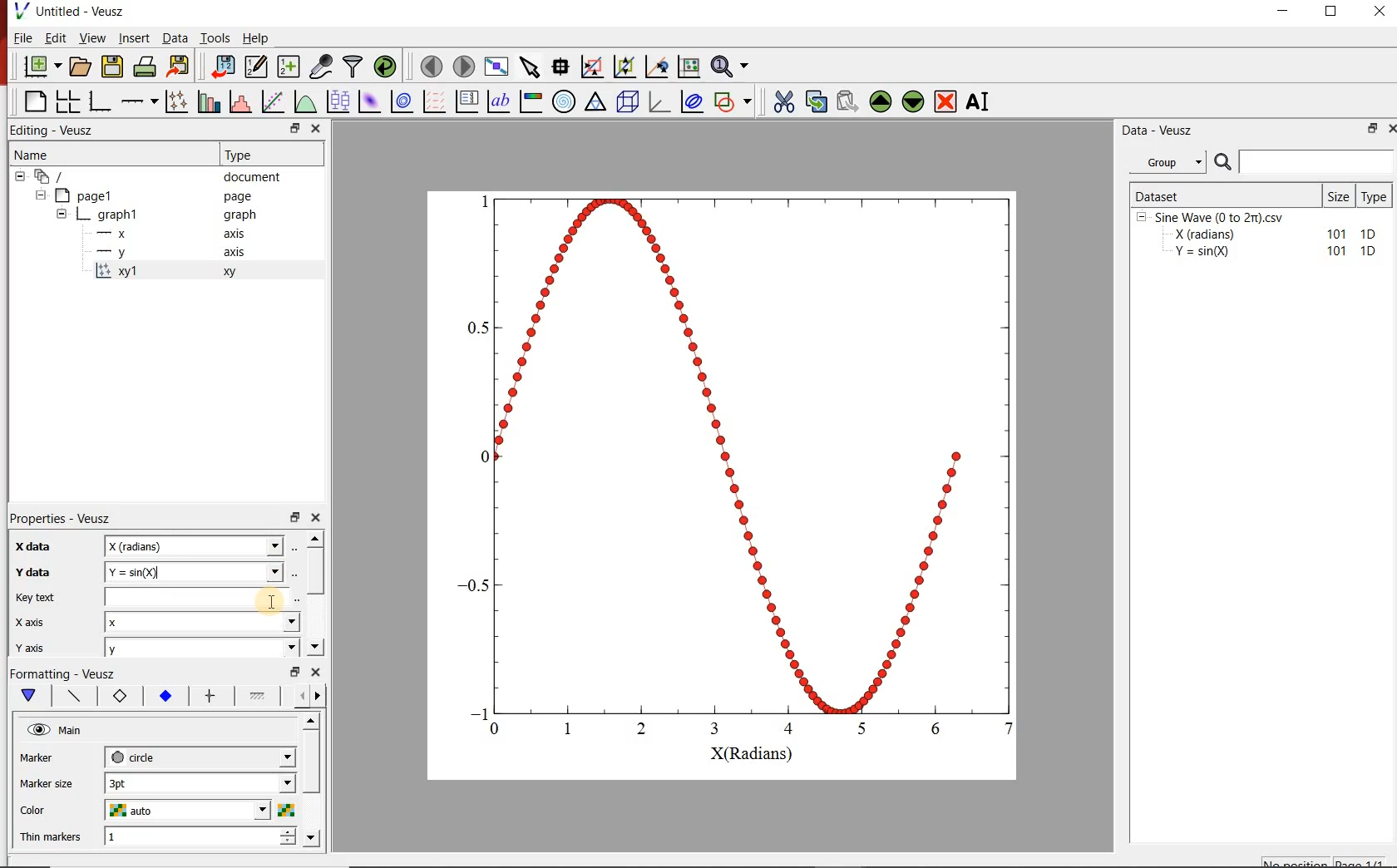  I want to click on Label, so click(29, 545).